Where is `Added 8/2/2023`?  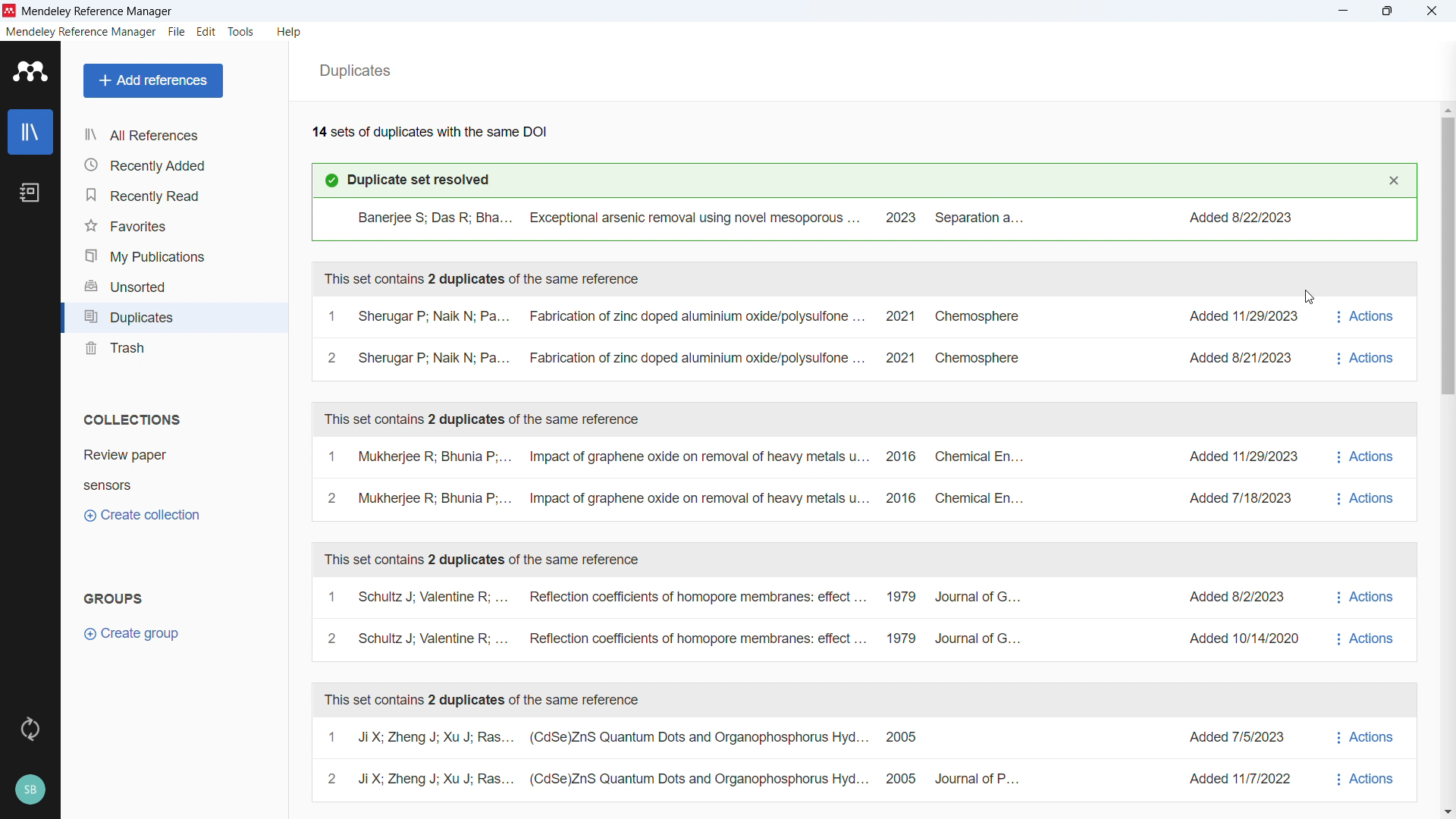
Added 8/2/2023 is located at coordinates (1227, 595).